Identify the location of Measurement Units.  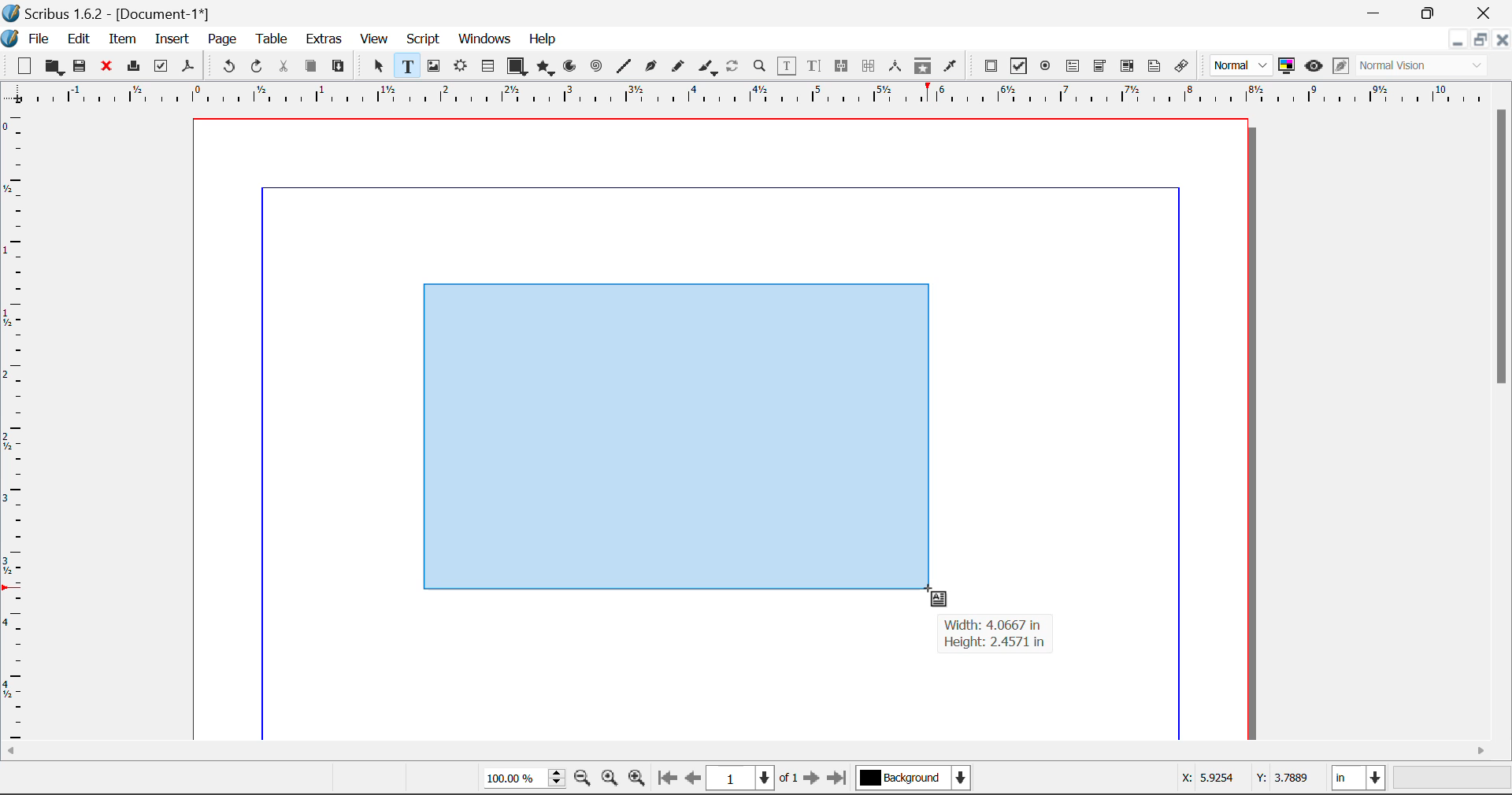
(1360, 780).